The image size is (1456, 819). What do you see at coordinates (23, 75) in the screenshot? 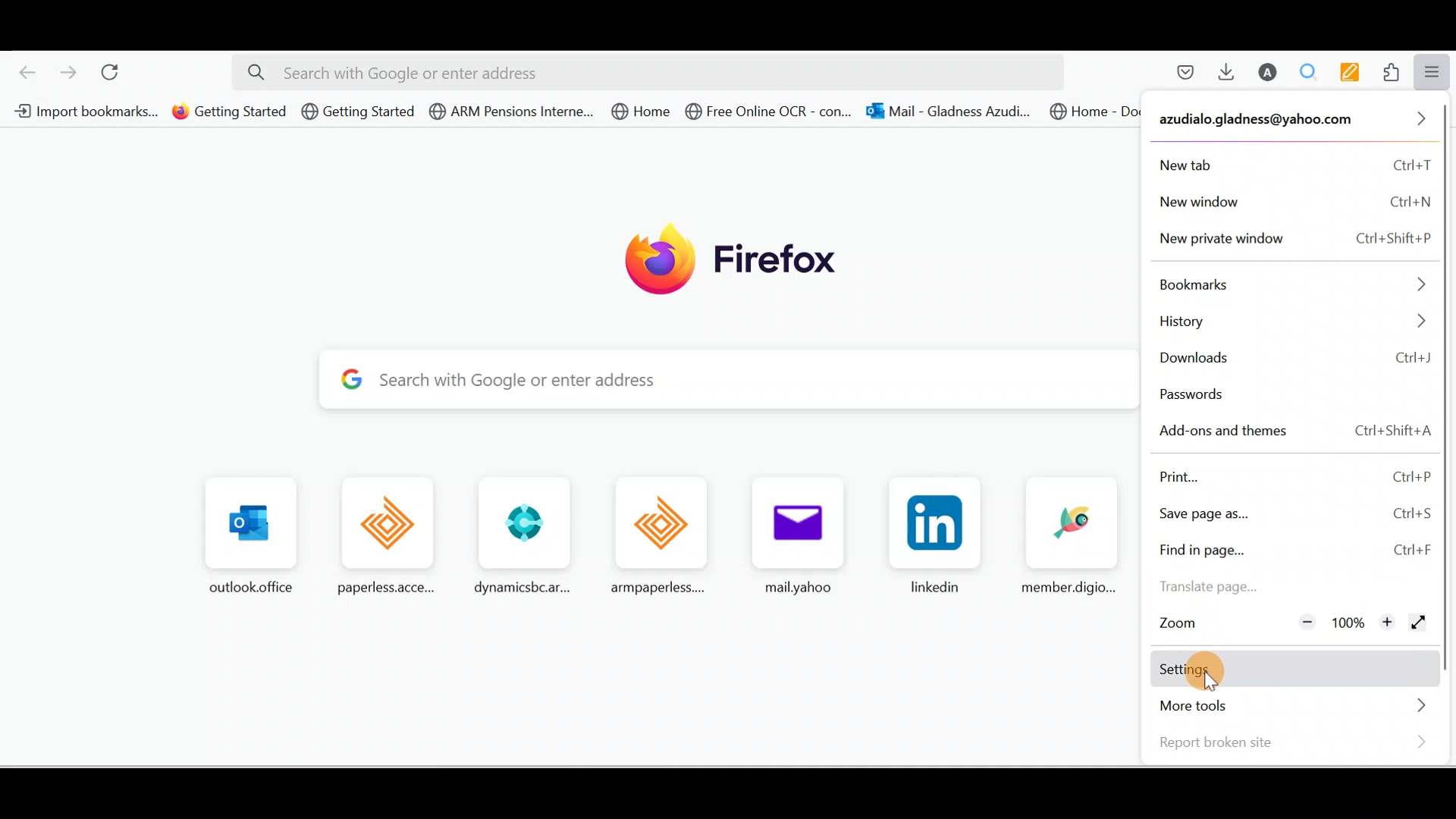
I see `Go back one page` at bounding box center [23, 75].